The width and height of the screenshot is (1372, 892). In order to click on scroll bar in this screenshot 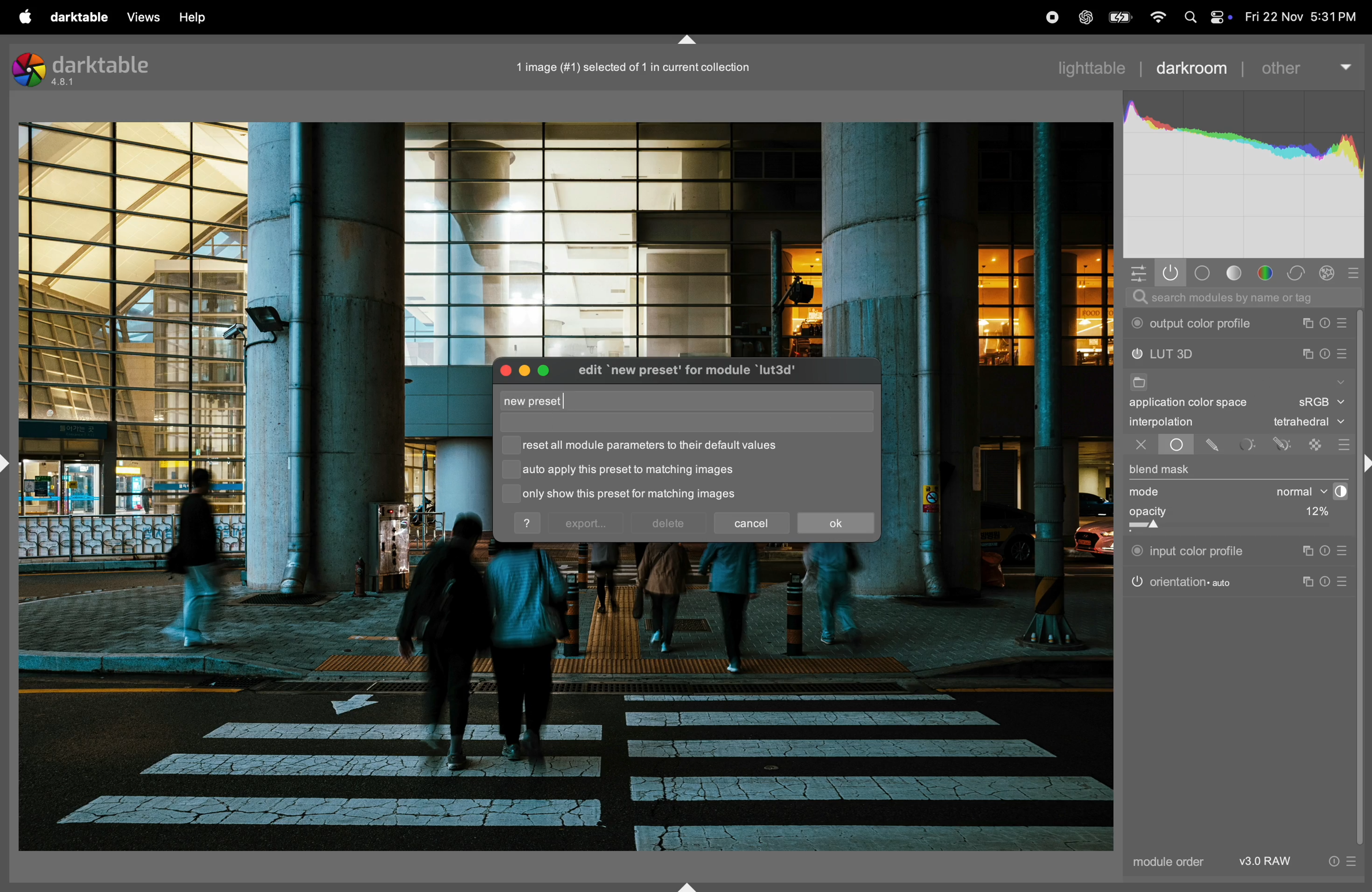, I will do `click(1364, 578)`.